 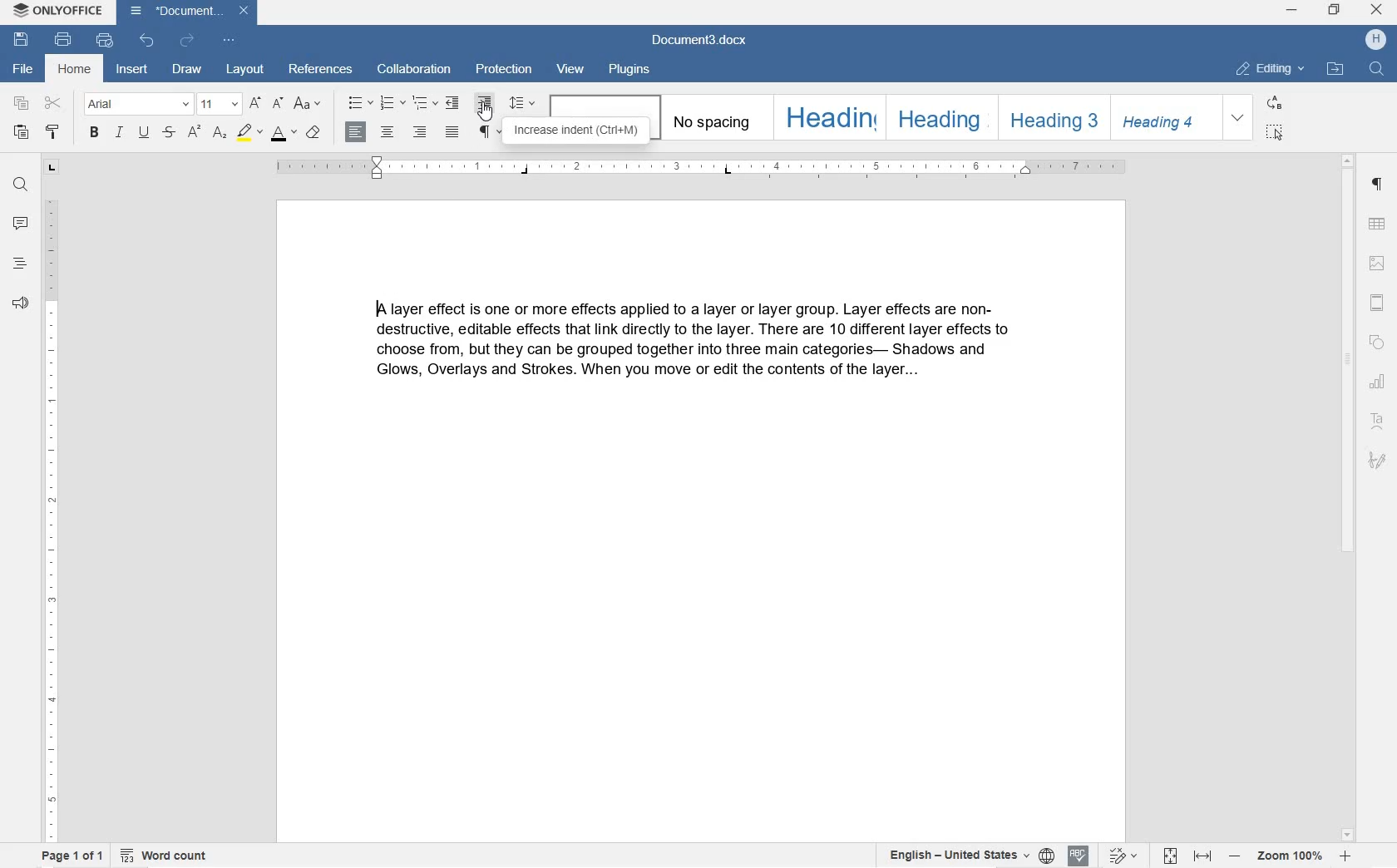 I want to click on EDITING, so click(x=1273, y=70).